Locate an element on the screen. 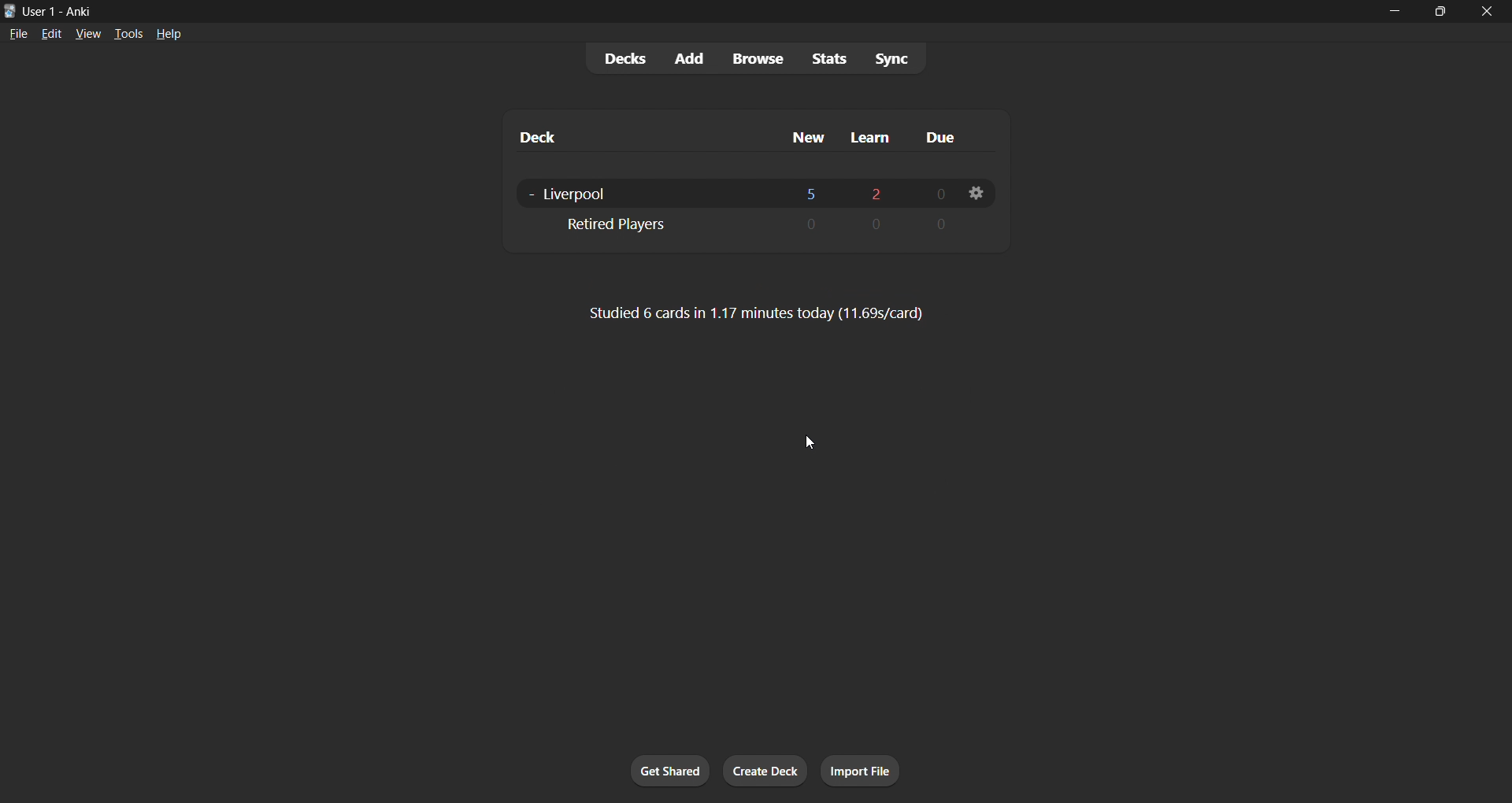  get shared is located at coordinates (668, 769).